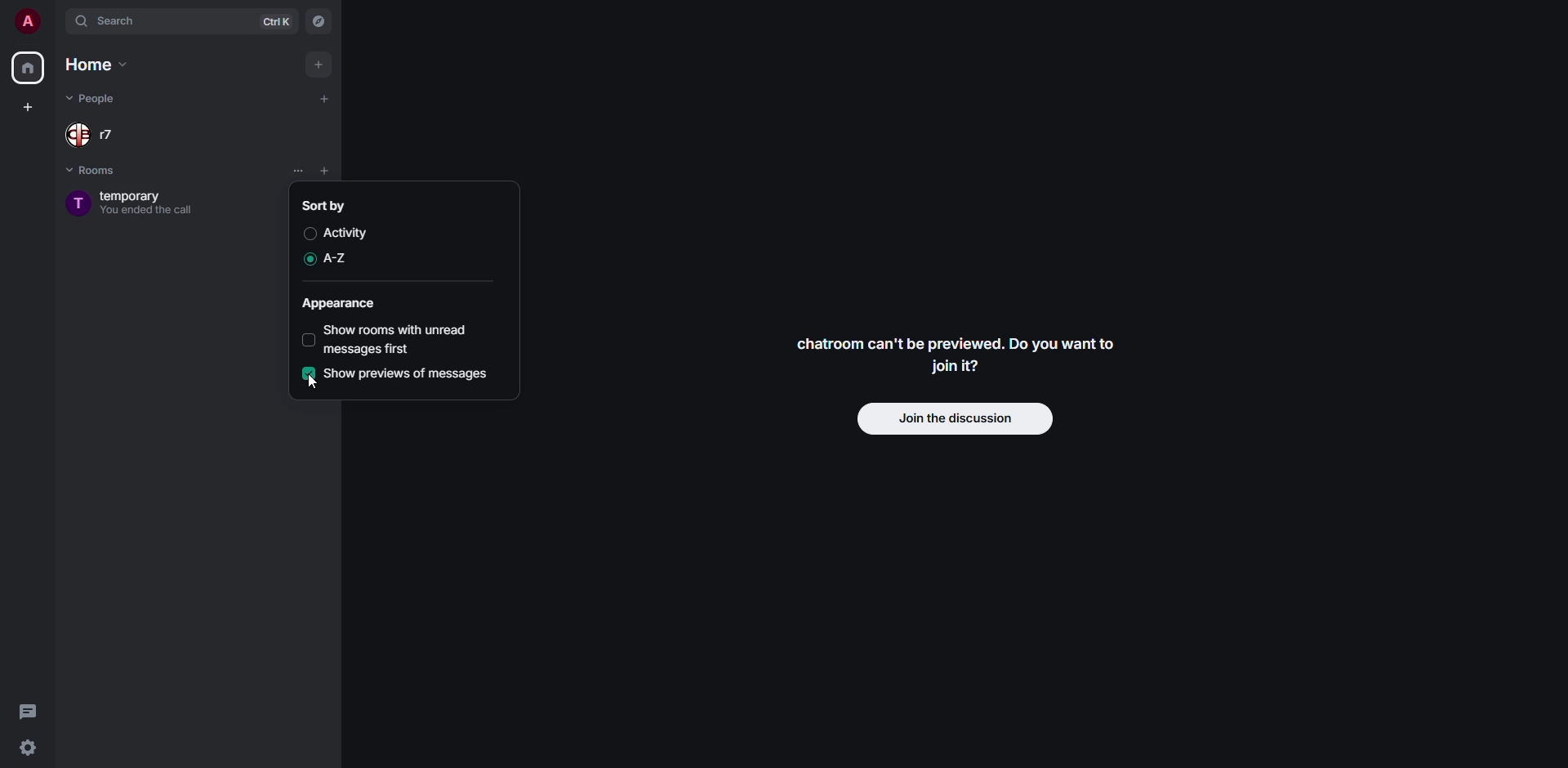 The height and width of the screenshot is (768, 1568). Describe the element at coordinates (317, 23) in the screenshot. I see `navigator` at that location.